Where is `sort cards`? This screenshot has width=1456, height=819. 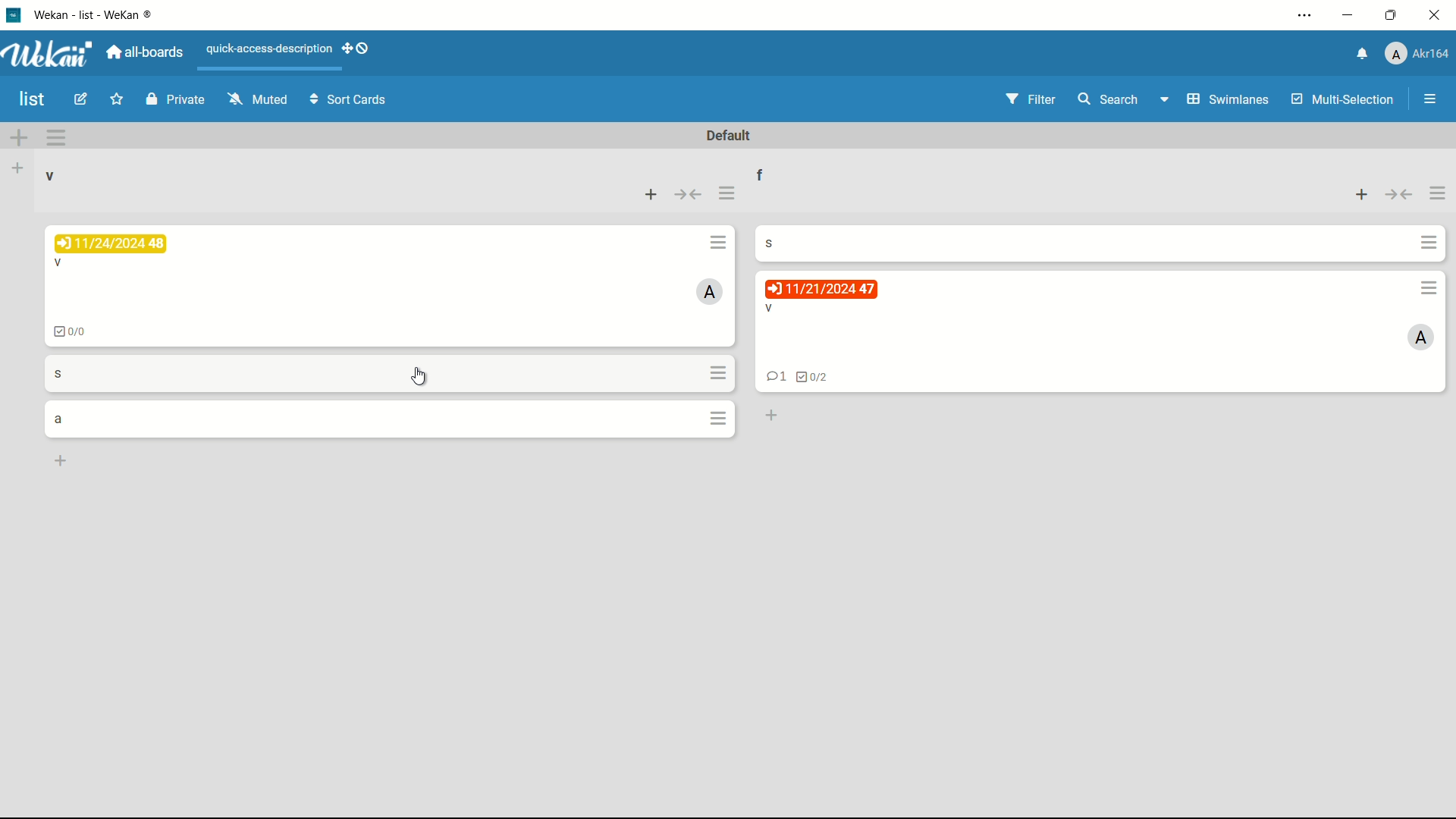
sort cards is located at coordinates (350, 101).